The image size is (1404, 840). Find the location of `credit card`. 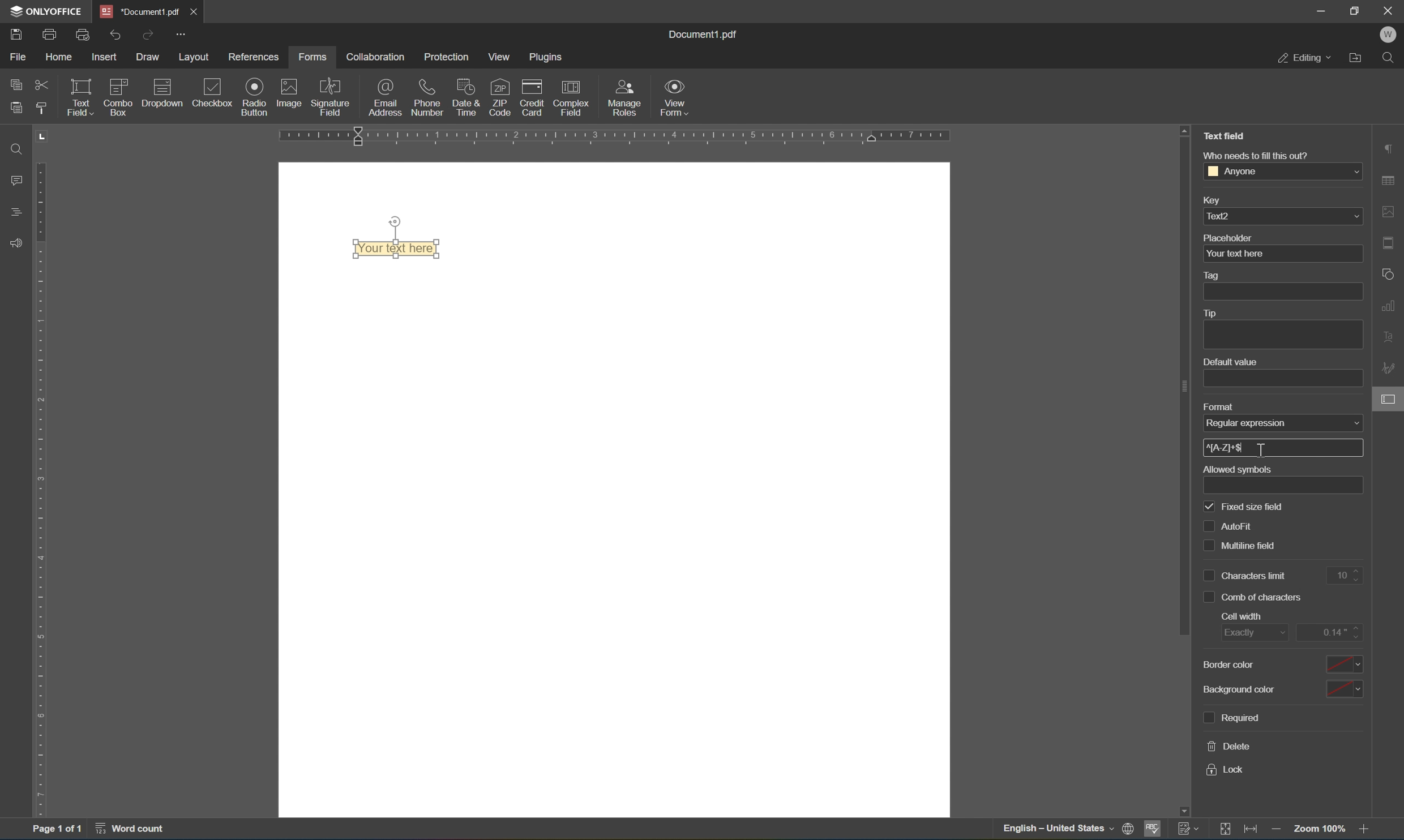

credit card is located at coordinates (533, 96).